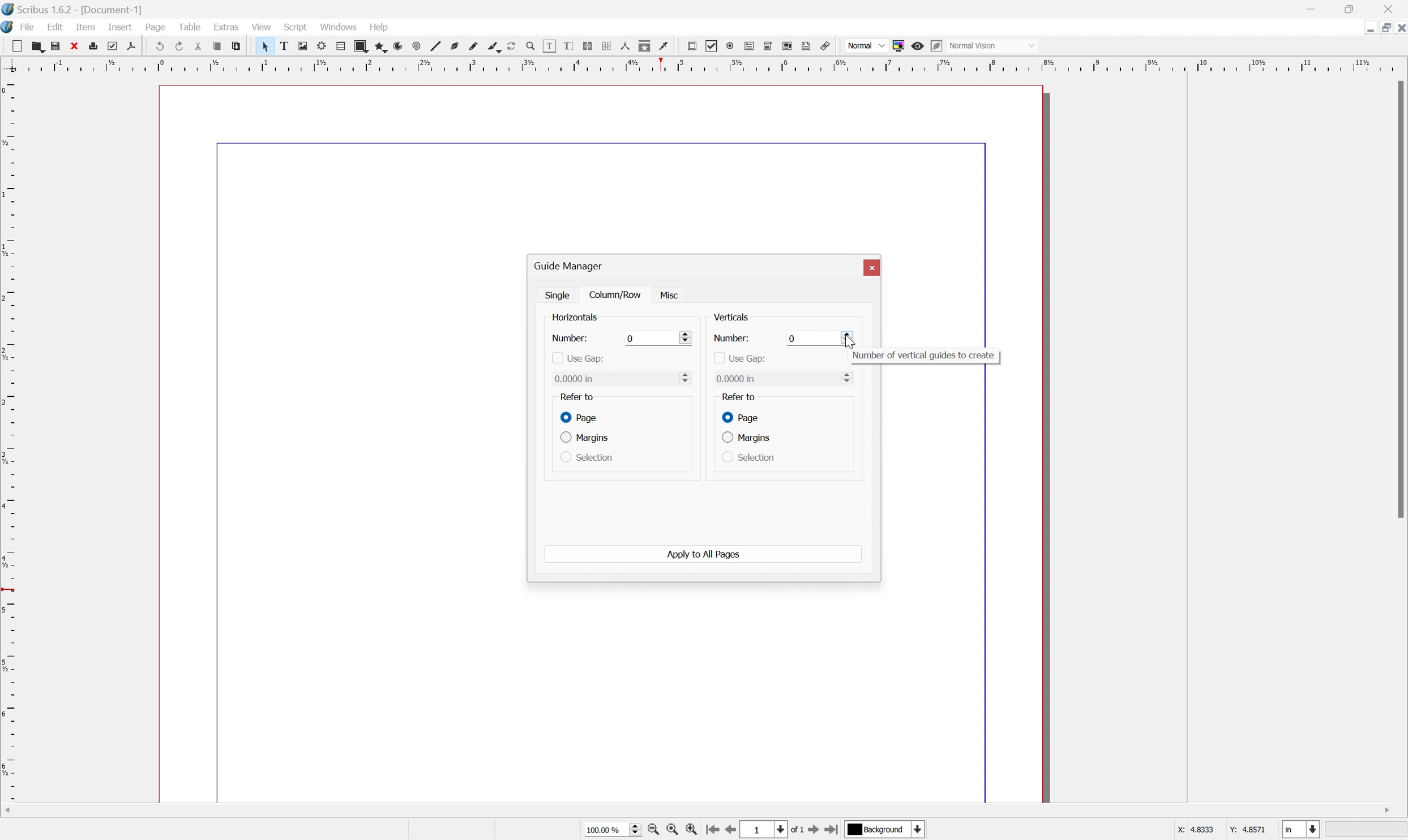  What do you see at coordinates (771, 830) in the screenshot?
I see `select current page` at bounding box center [771, 830].